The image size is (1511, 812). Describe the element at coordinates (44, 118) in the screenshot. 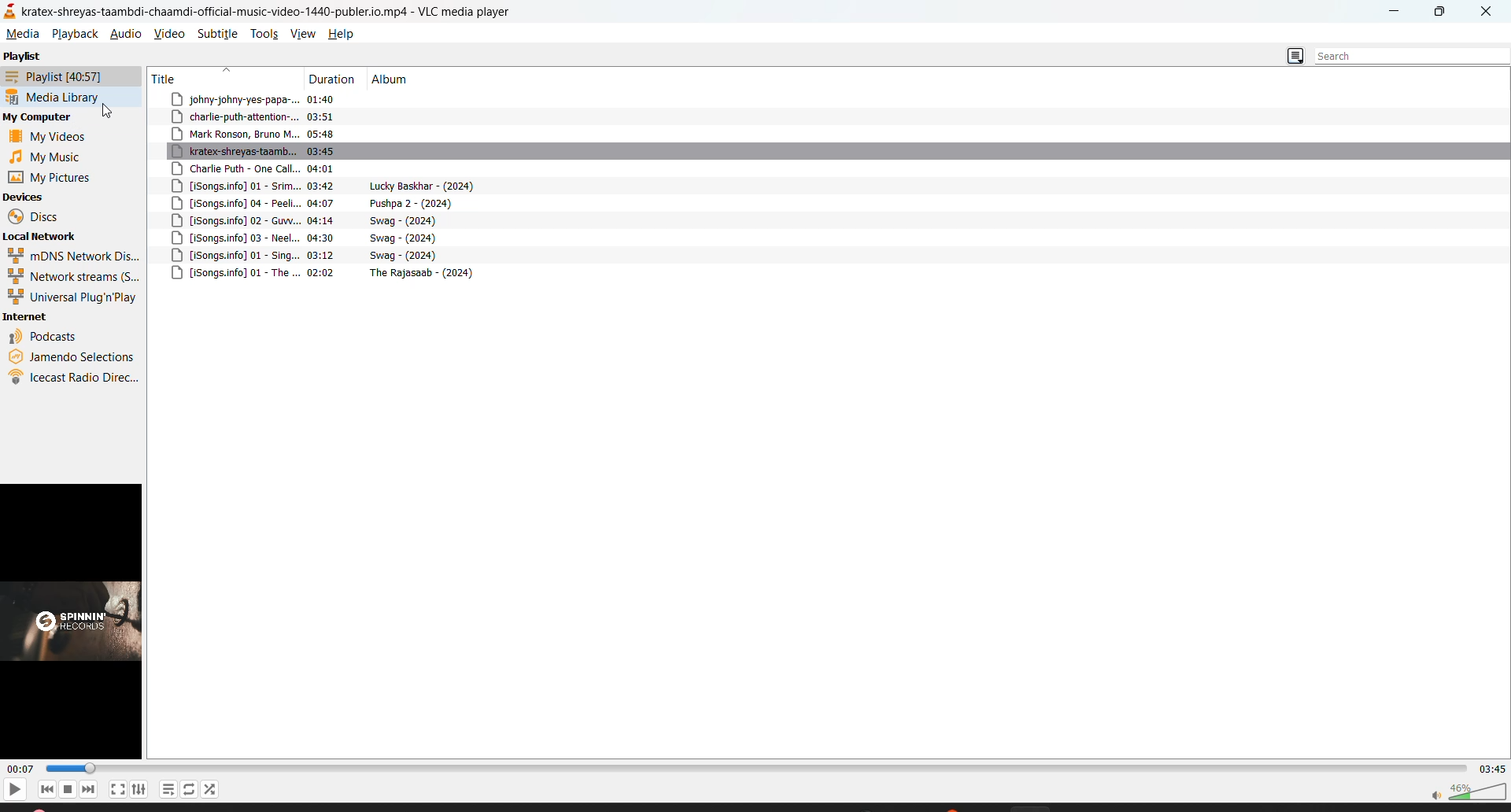

I see `my computer` at that location.